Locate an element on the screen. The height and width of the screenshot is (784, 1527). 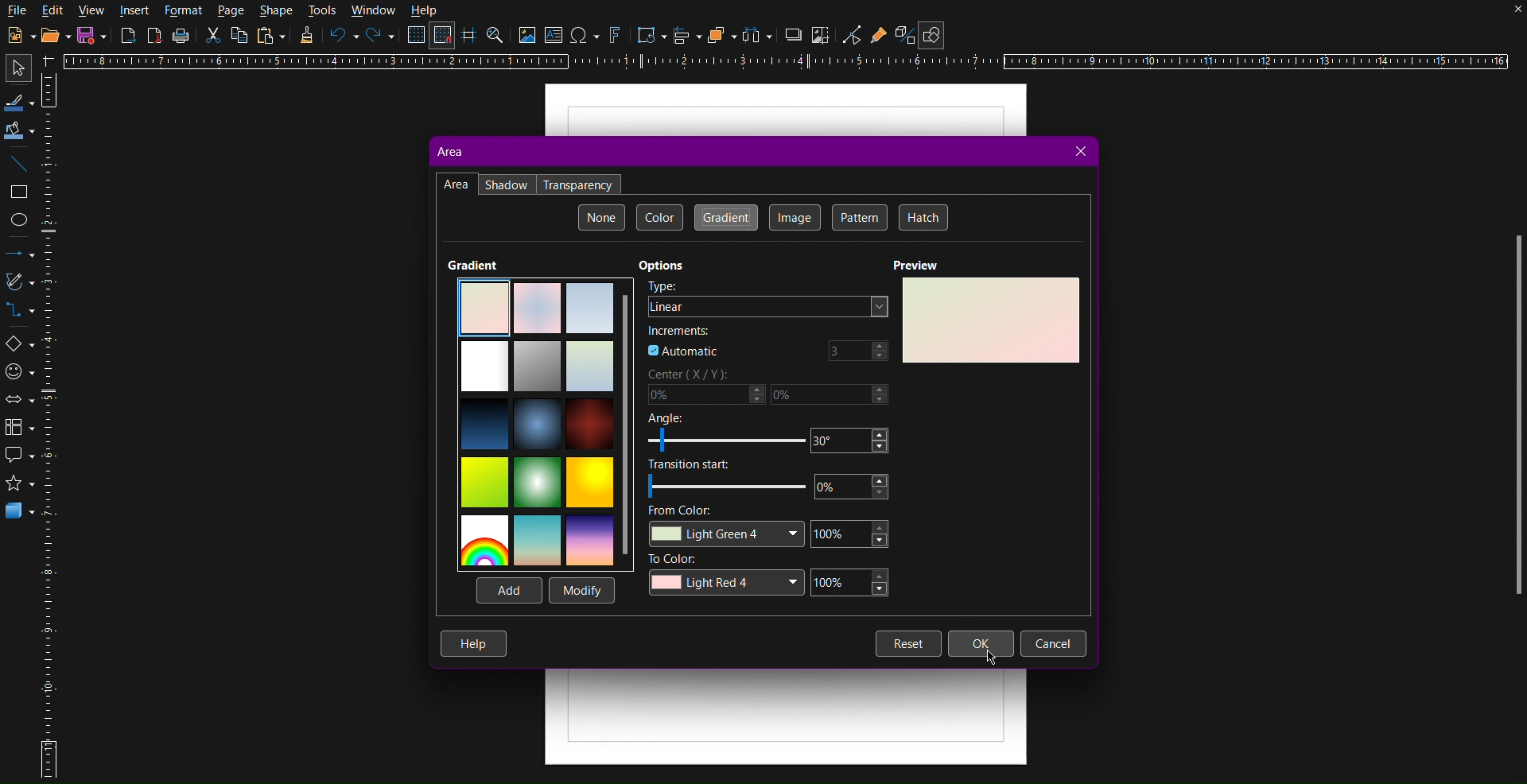
Guidelines while moving is located at coordinates (470, 37).